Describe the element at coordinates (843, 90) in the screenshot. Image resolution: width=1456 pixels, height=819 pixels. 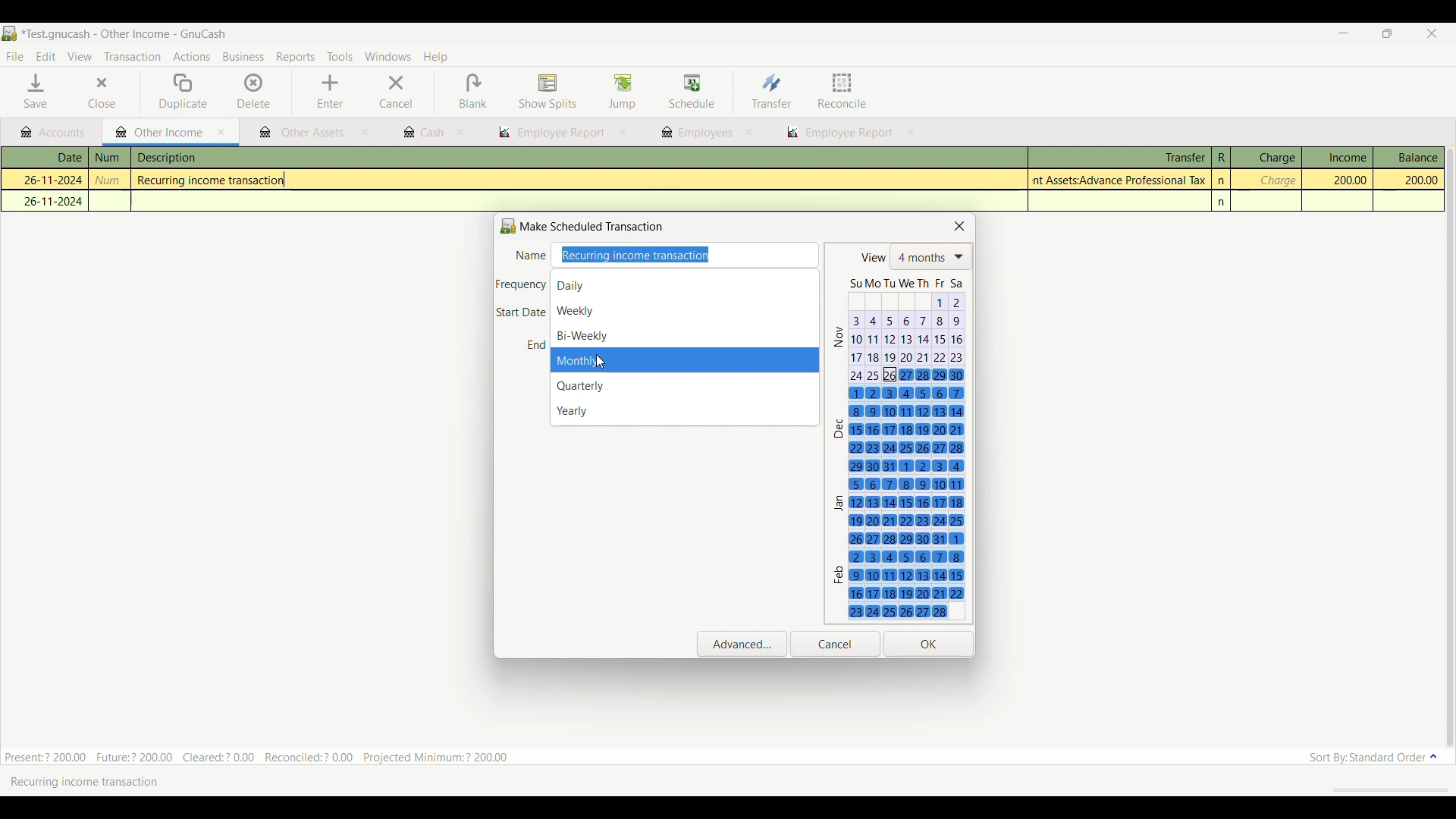
I see `Reconcile` at that location.